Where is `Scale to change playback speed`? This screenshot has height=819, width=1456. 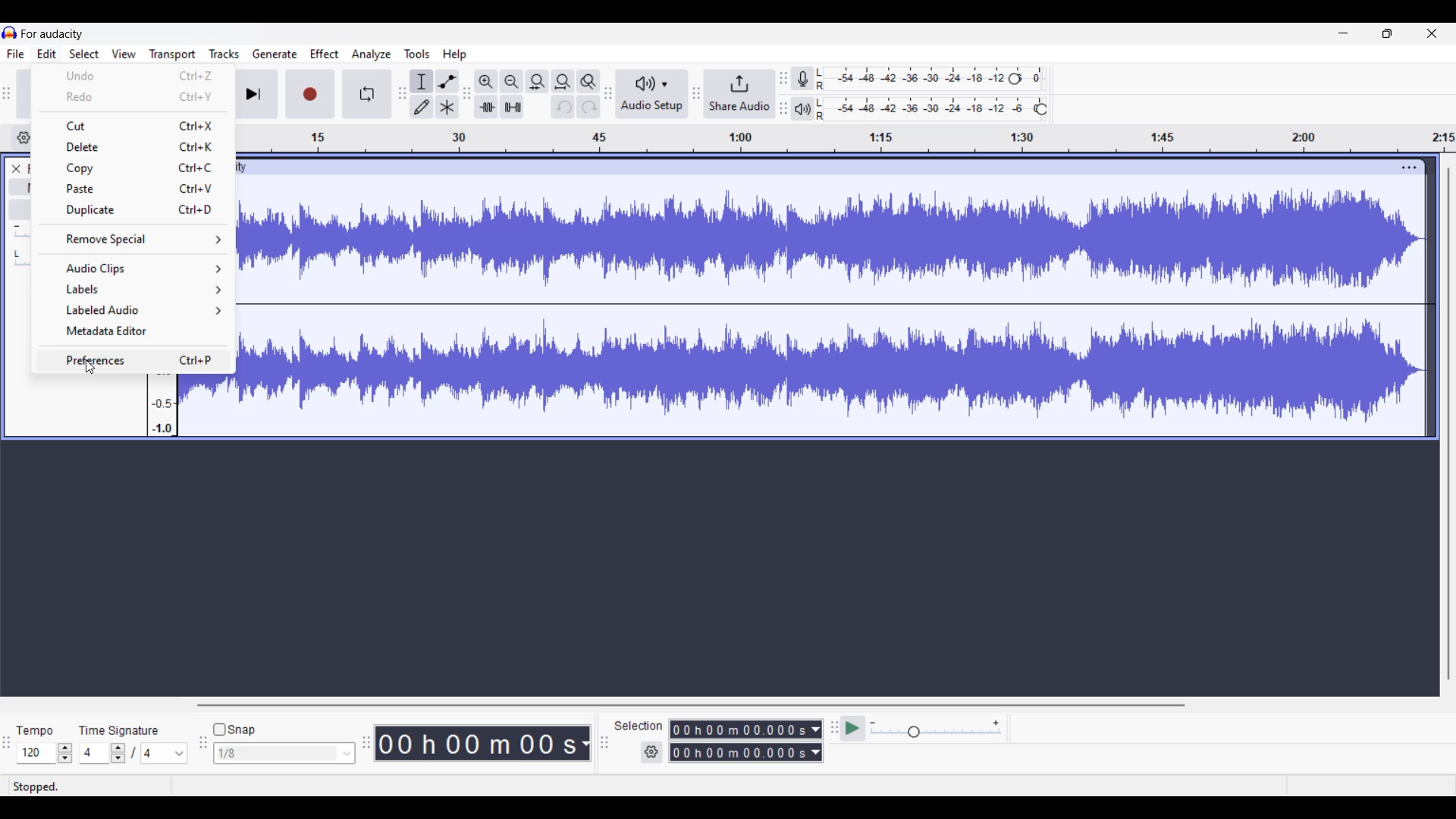 Scale to change playback speed is located at coordinates (936, 729).